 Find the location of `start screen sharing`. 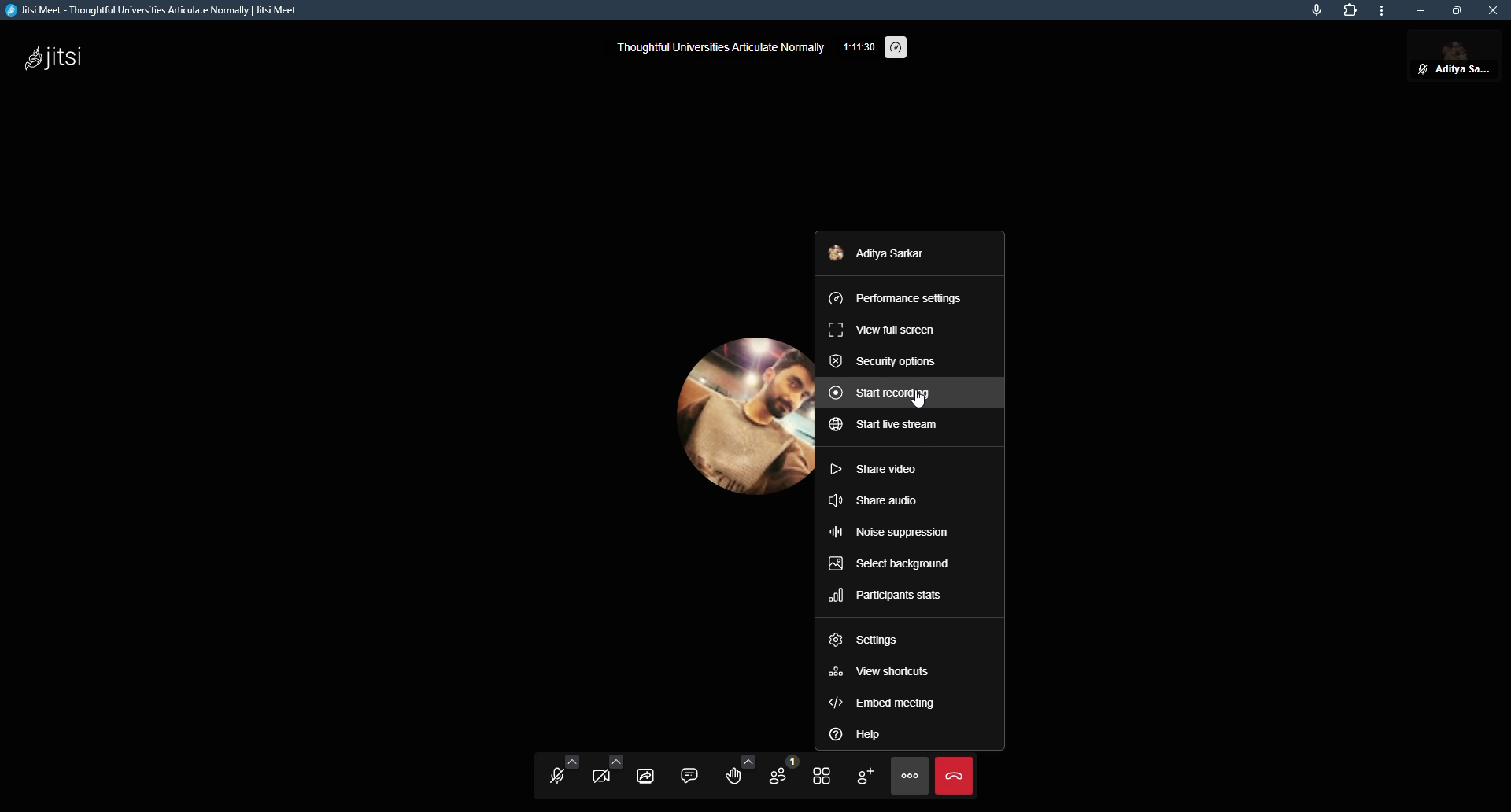

start screen sharing is located at coordinates (647, 775).